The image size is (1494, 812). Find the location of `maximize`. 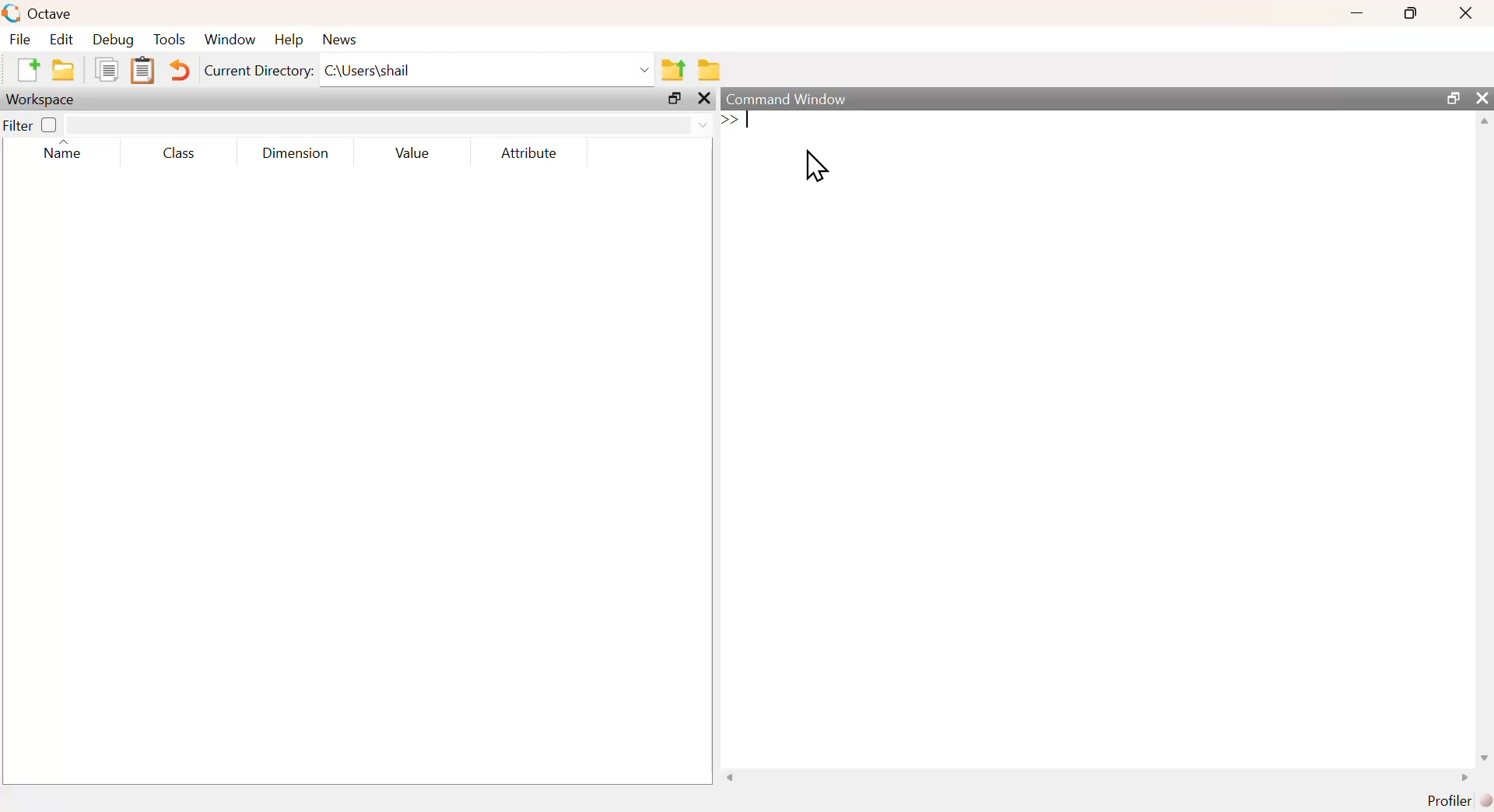

maximize is located at coordinates (1408, 13).